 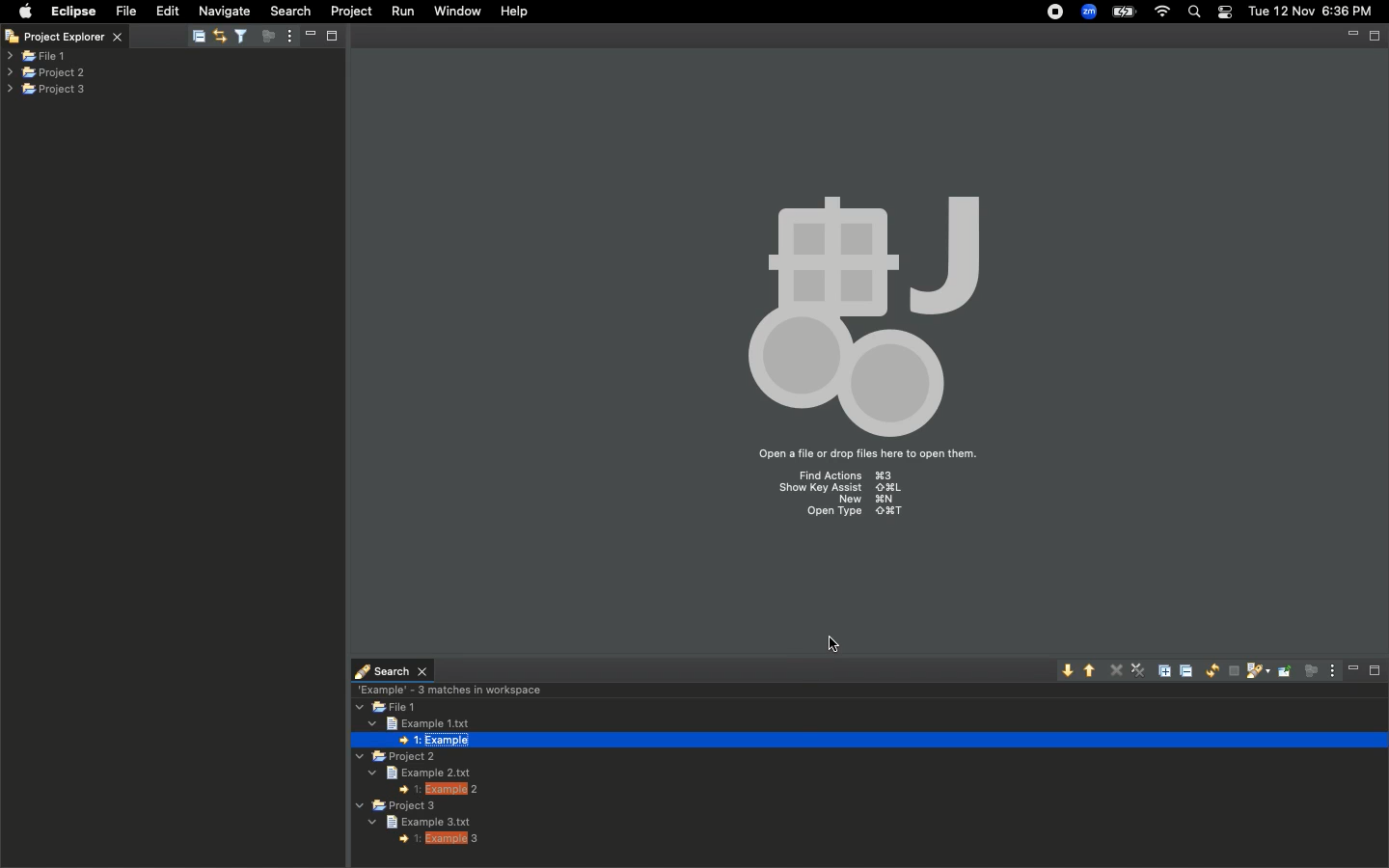 What do you see at coordinates (1309, 670) in the screenshot?
I see `Focus on active tasks` at bounding box center [1309, 670].